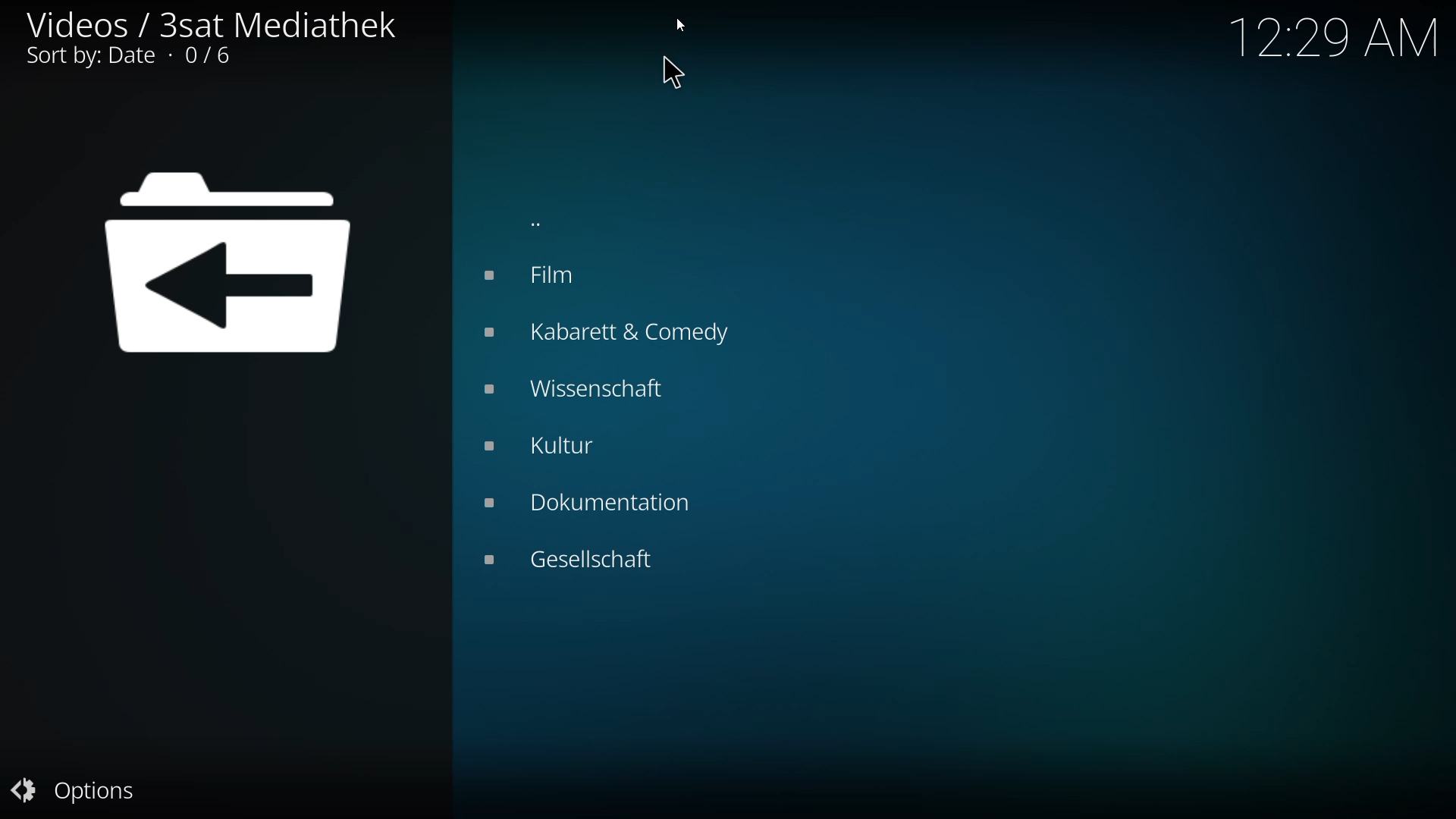 This screenshot has width=1456, height=819. What do you see at coordinates (537, 275) in the screenshot?
I see `film` at bounding box center [537, 275].